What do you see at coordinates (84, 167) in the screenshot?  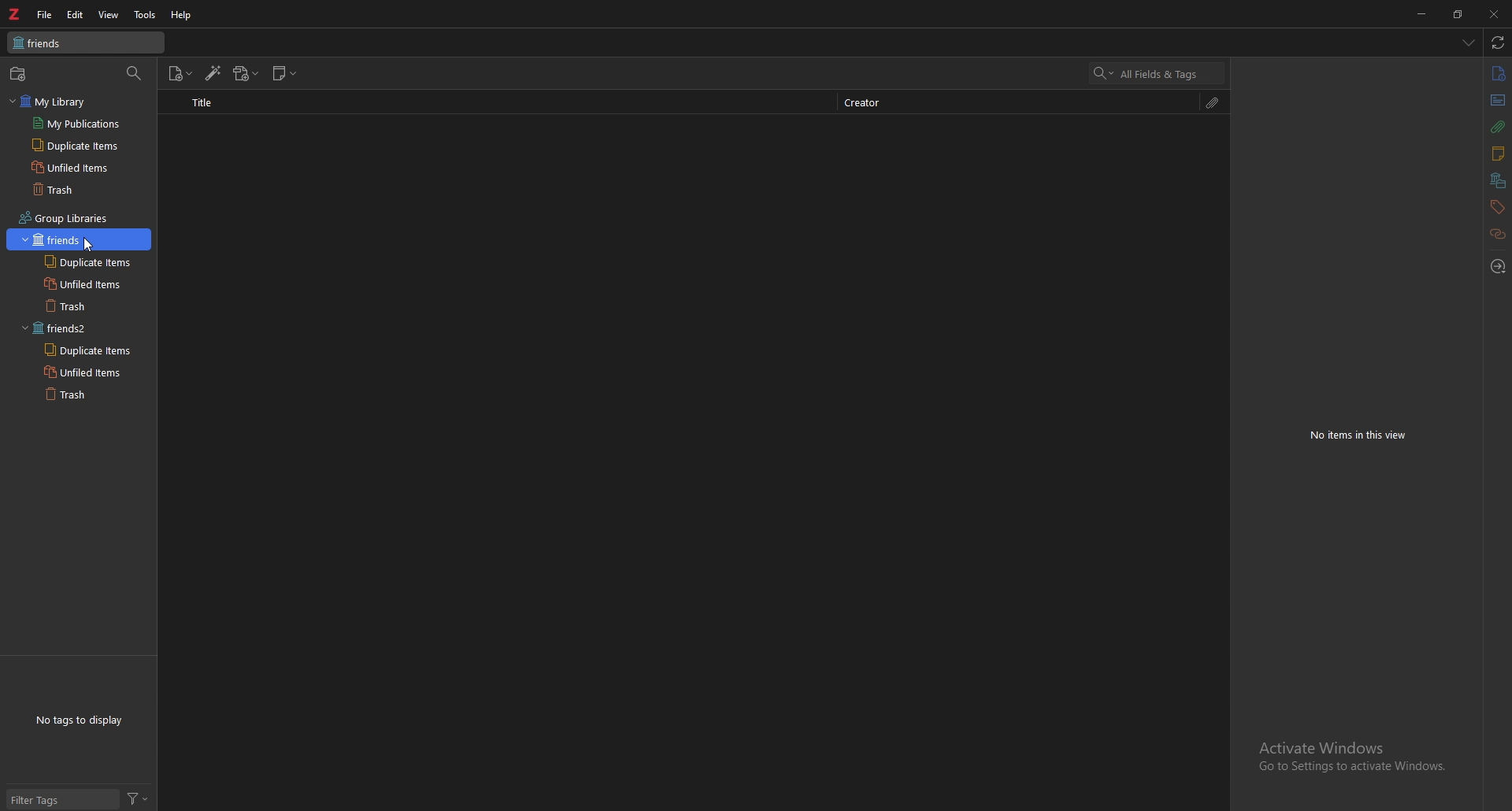 I see `unfiled items` at bounding box center [84, 167].